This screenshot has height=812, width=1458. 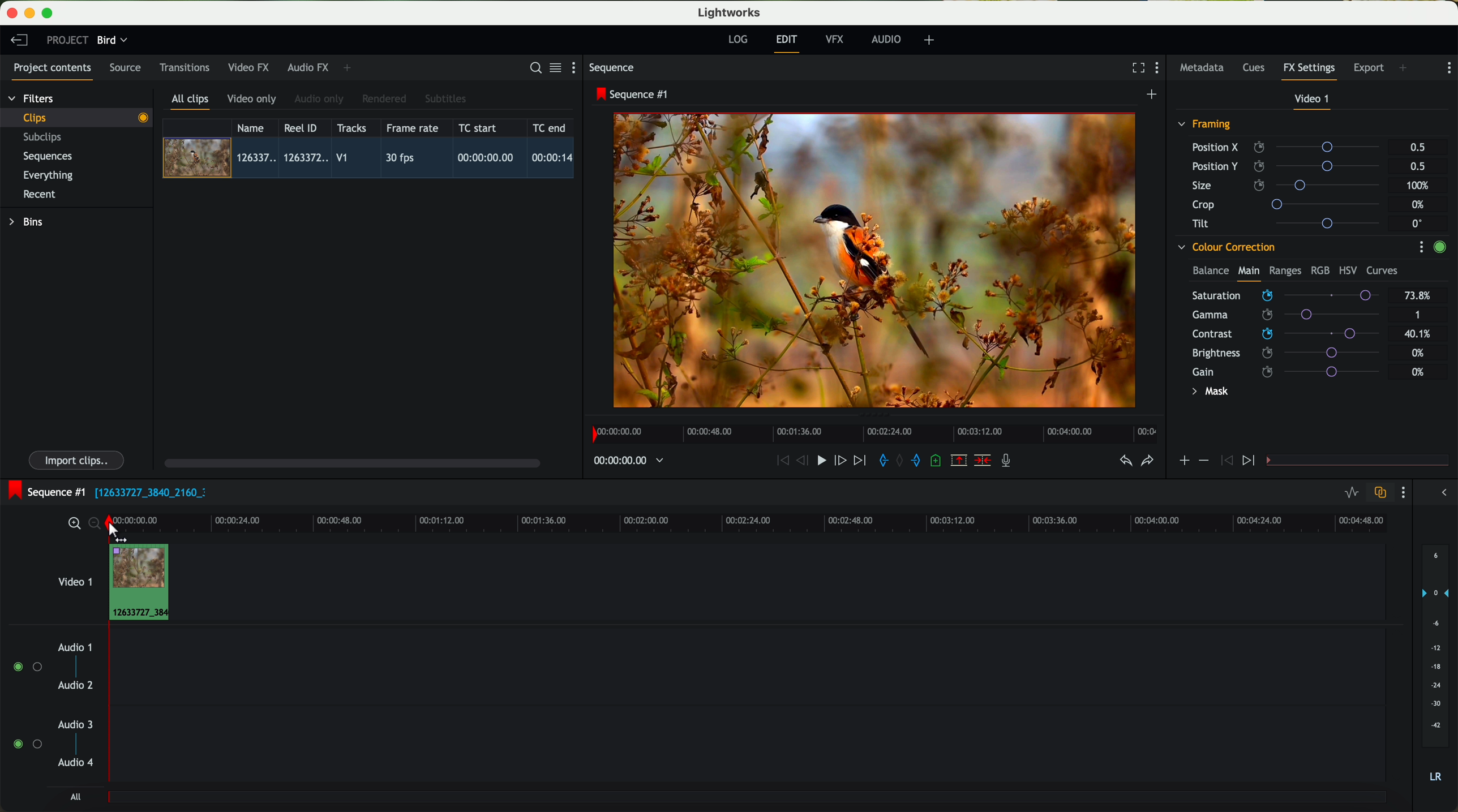 I want to click on toggle audio levels editing, so click(x=1351, y=494).